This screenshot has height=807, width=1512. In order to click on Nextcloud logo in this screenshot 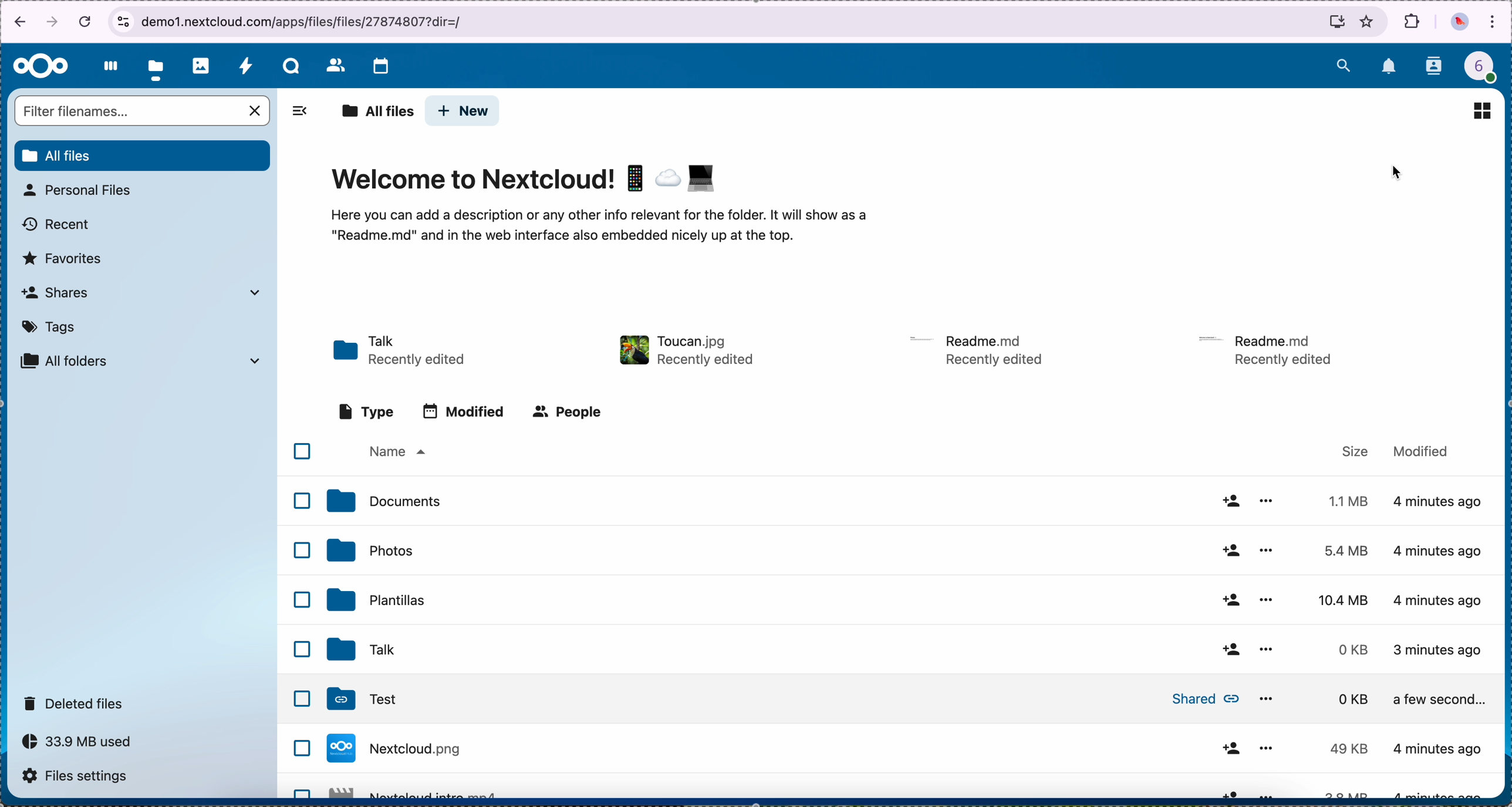, I will do `click(41, 67)`.